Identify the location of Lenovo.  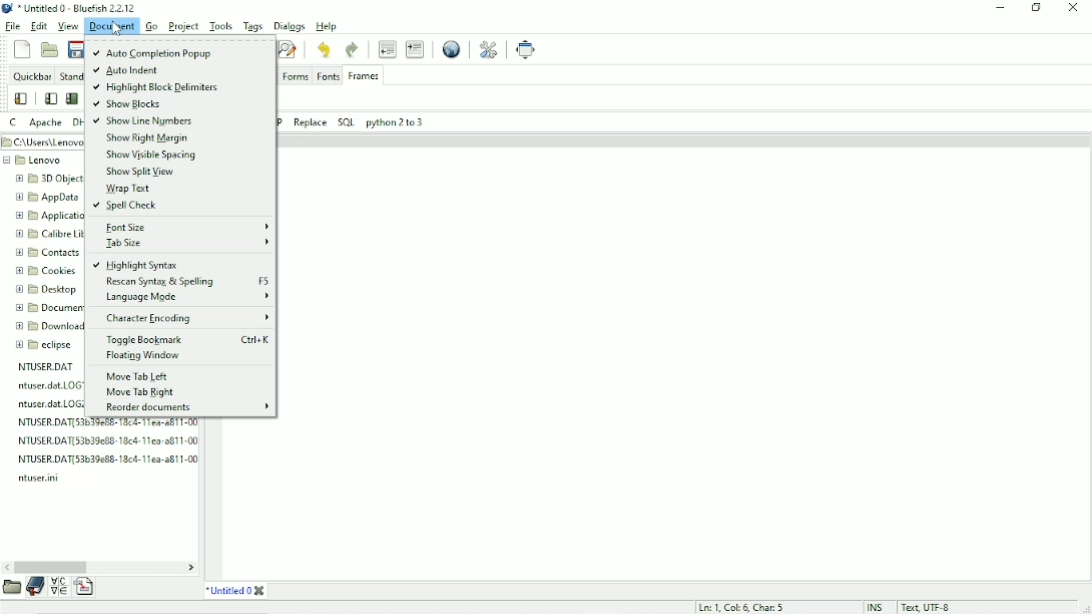
(36, 161).